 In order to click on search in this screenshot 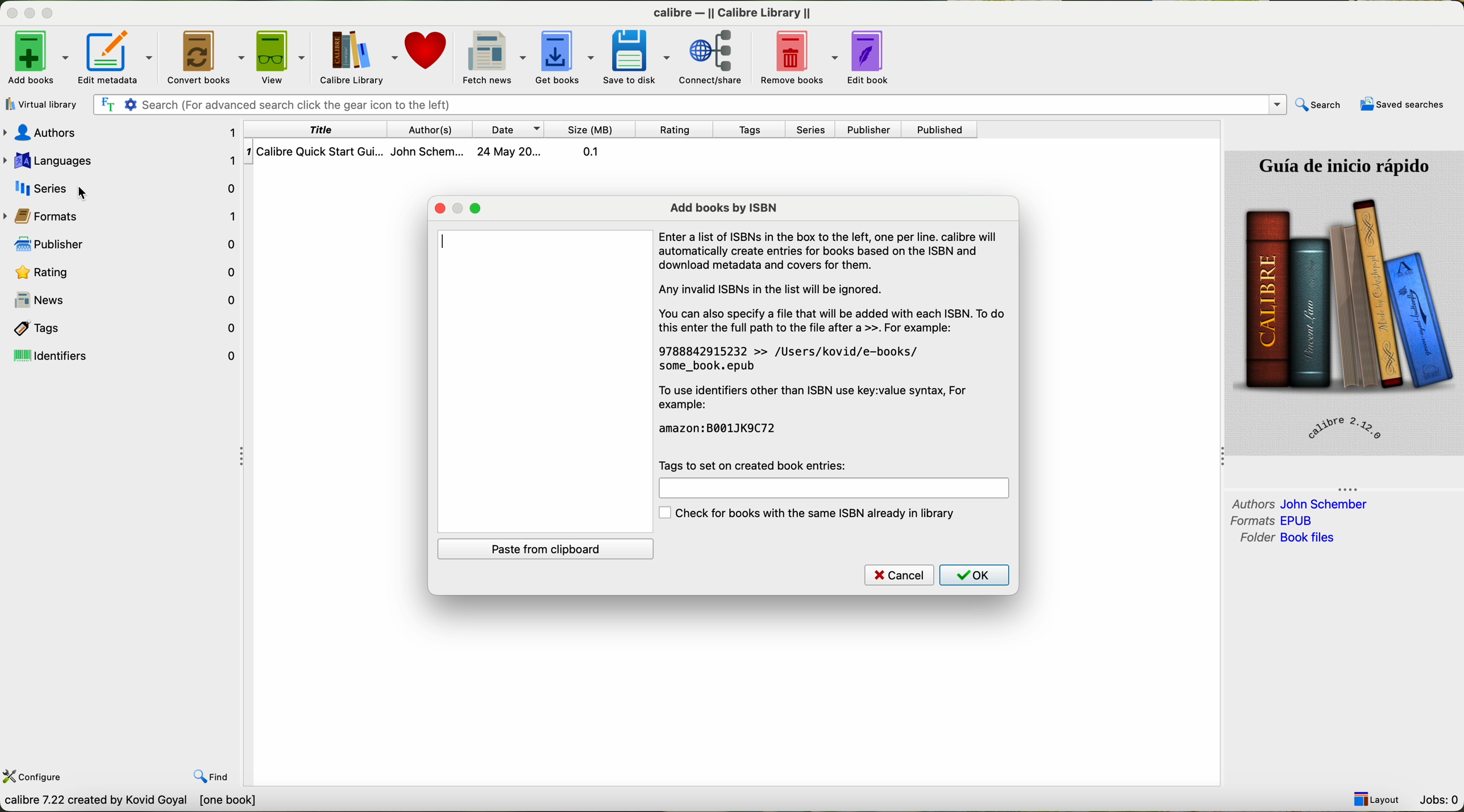, I will do `click(1319, 105)`.